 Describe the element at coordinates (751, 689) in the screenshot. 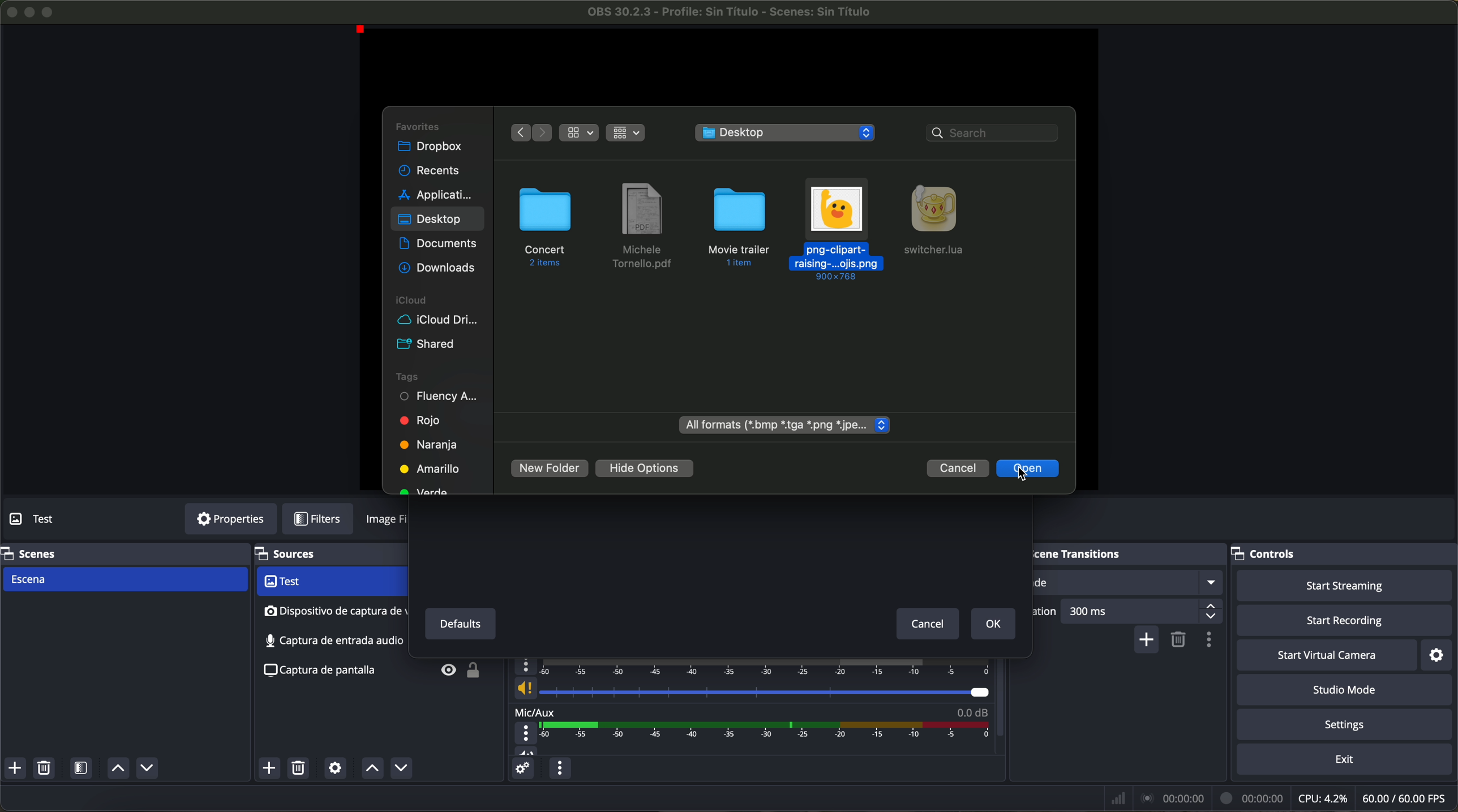

I see `vol` at that location.